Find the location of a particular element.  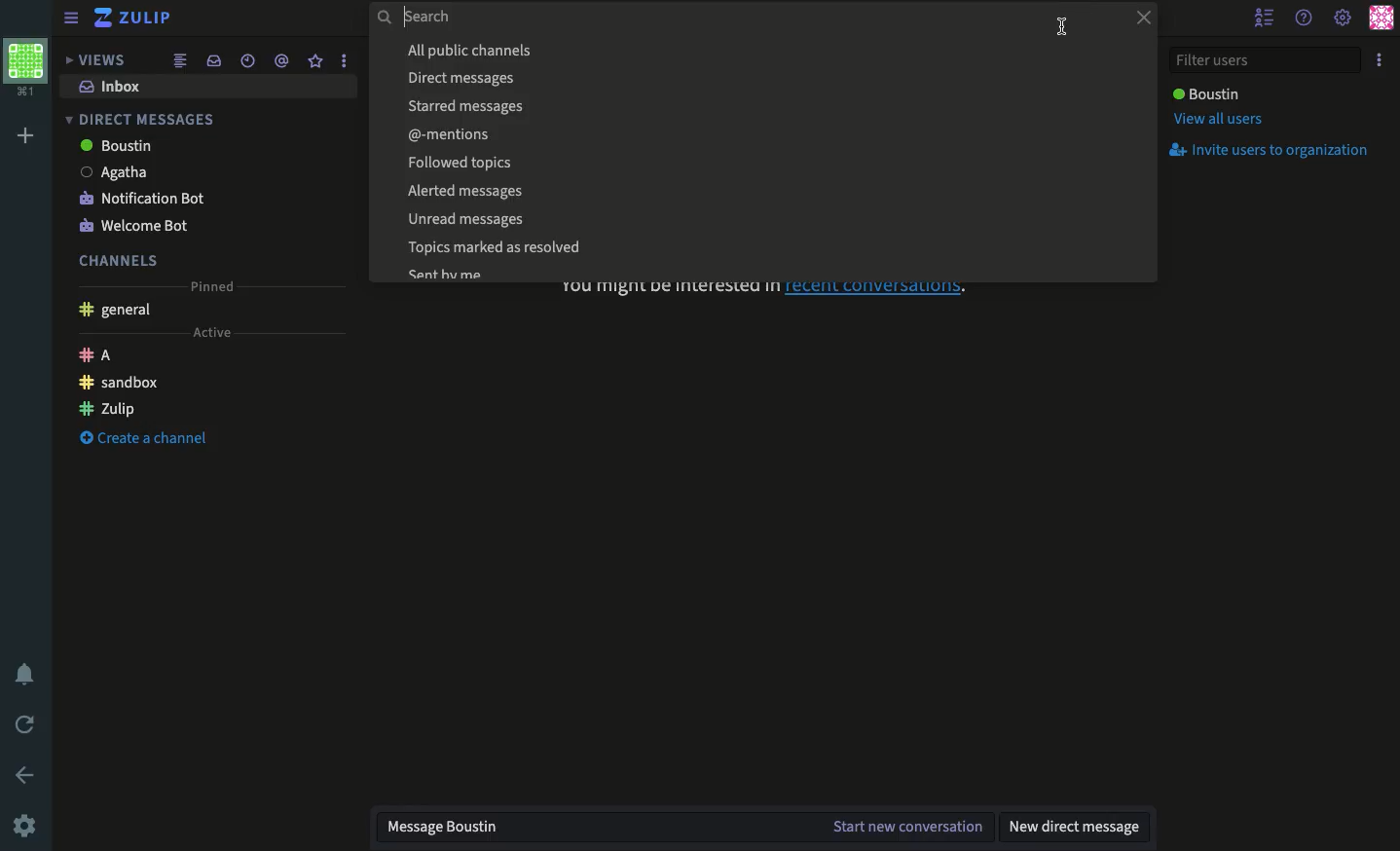

Invite users to organization is located at coordinates (1274, 151).